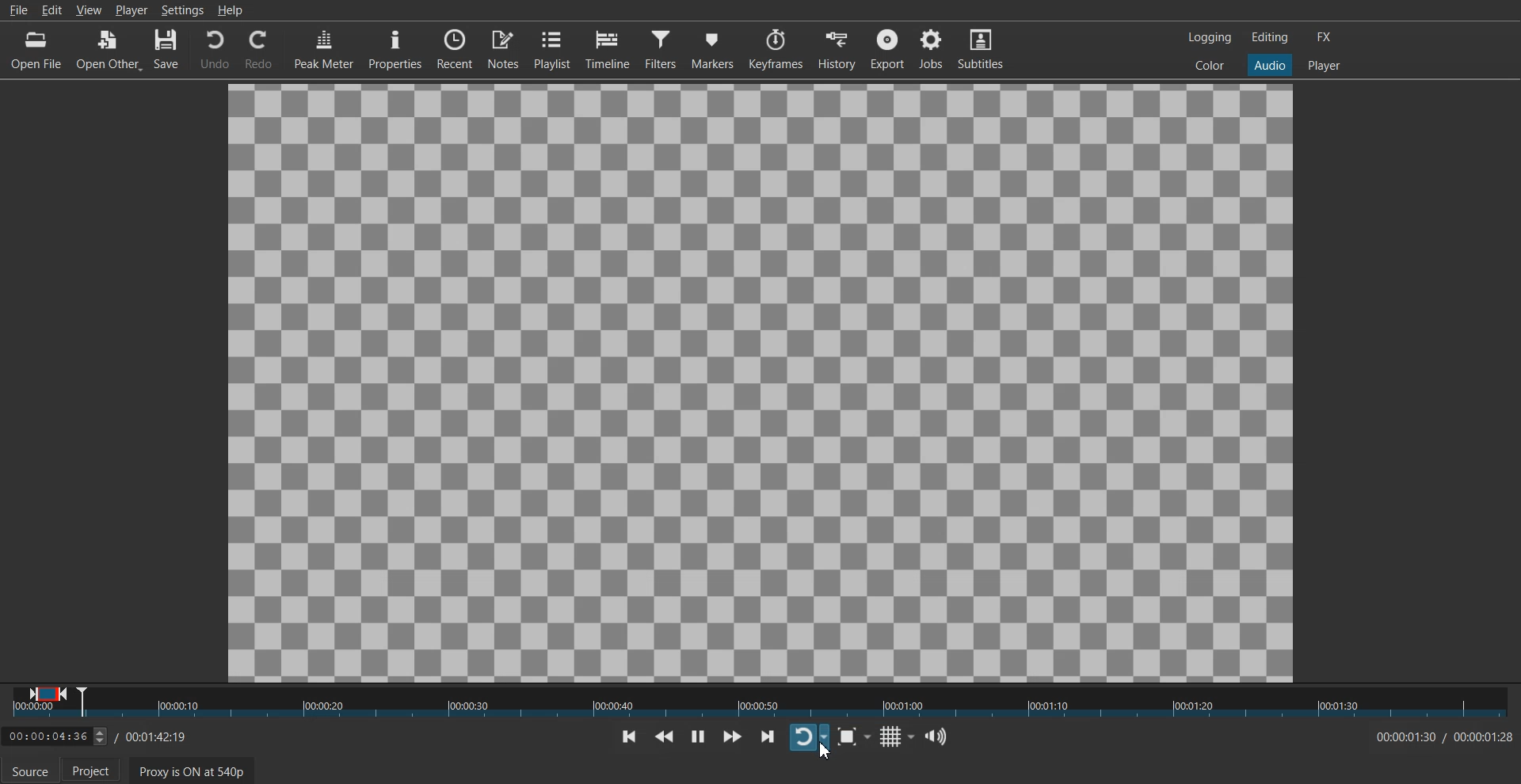  What do you see at coordinates (455, 48) in the screenshot?
I see `Recent` at bounding box center [455, 48].